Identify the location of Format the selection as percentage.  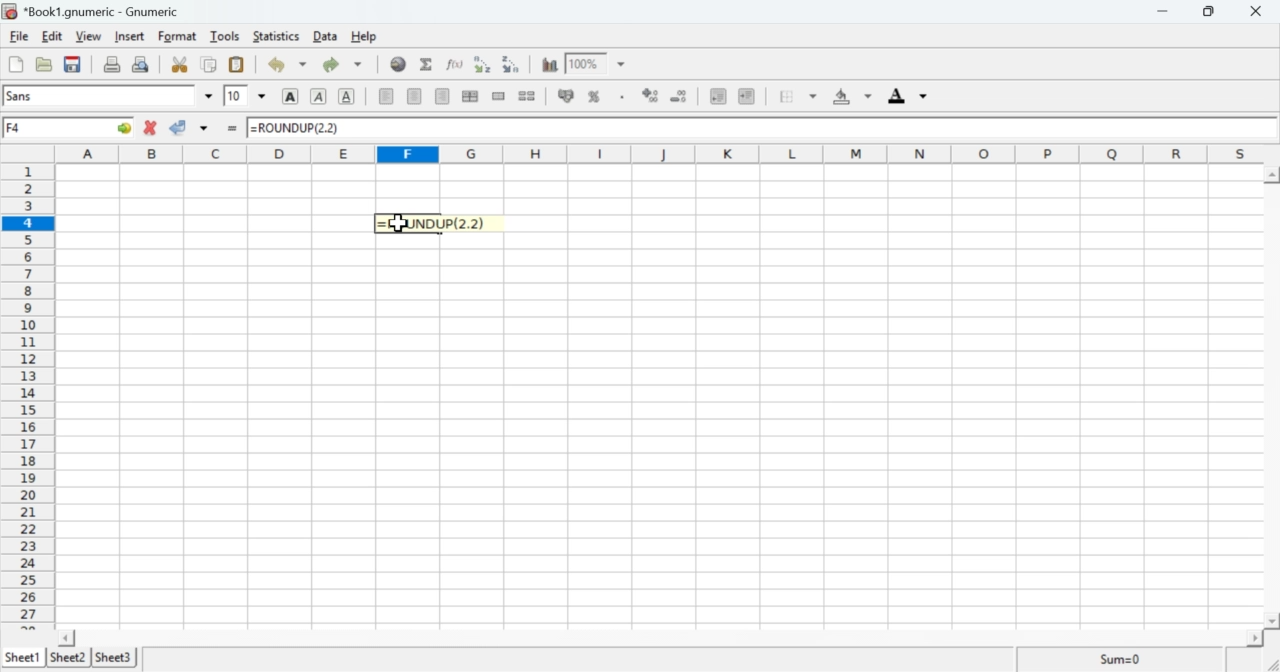
(594, 96).